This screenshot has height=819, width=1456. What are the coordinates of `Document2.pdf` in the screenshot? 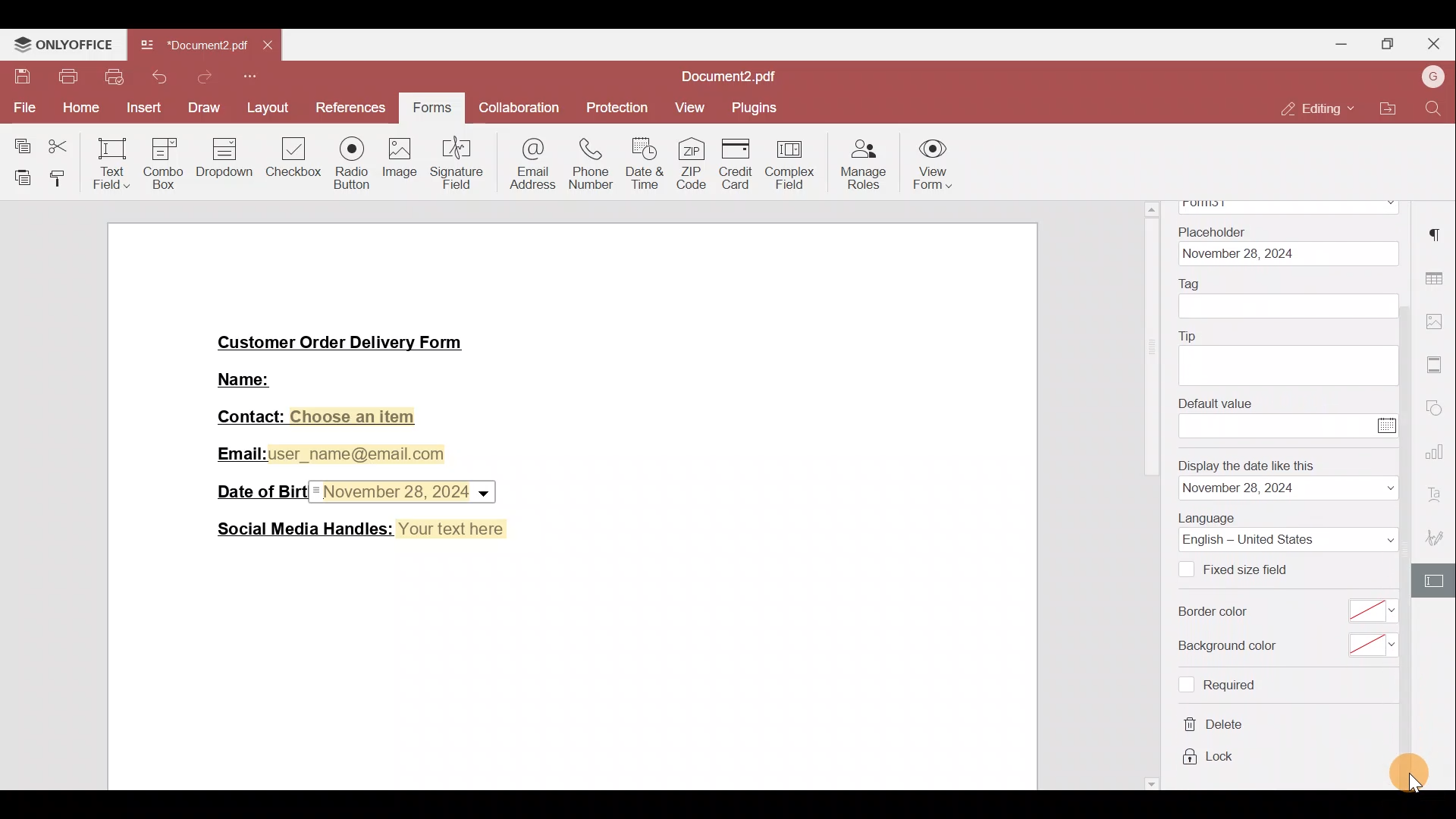 It's located at (193, 45).